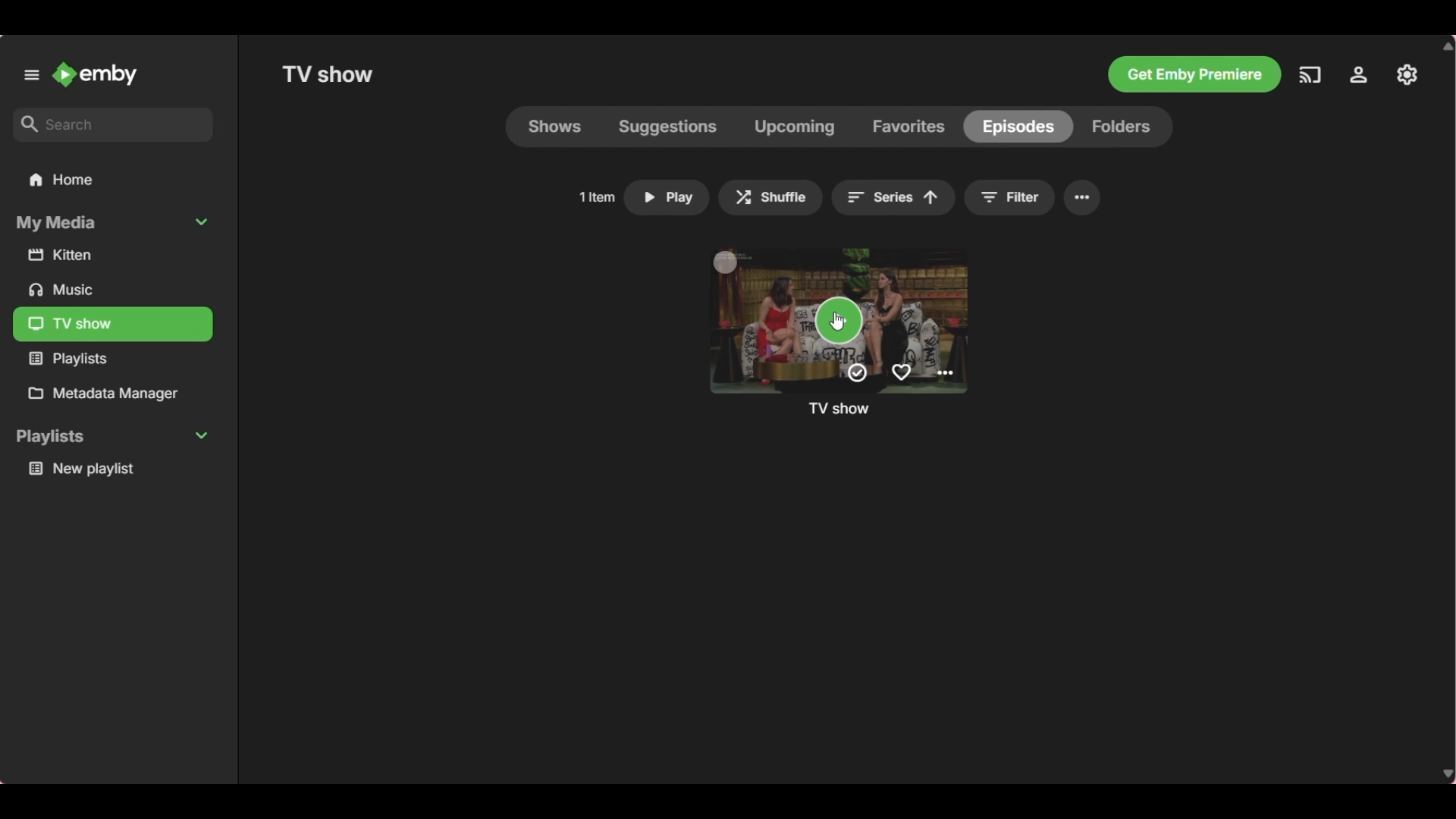 This screenshot has height=819, width=1456. I want to click on Favorites, so click(907, 127).